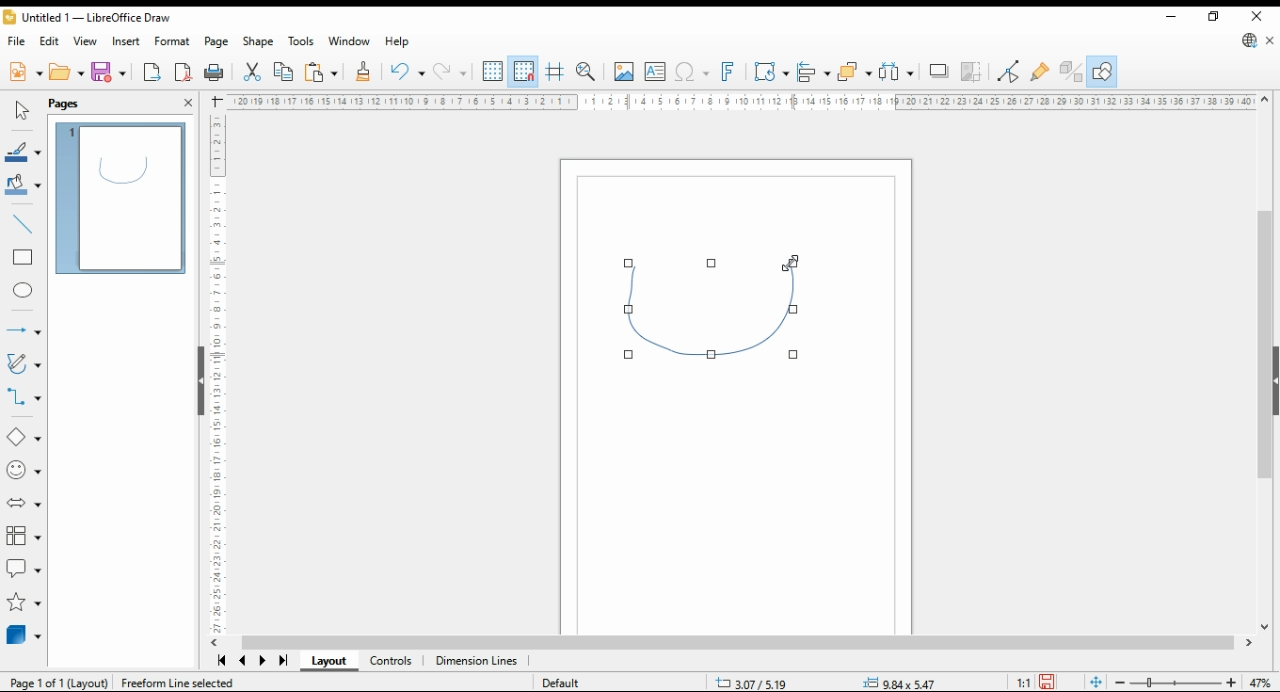 Image resolution: width=1280 pixels, height=692 pixels. I want to click on 0.00 x 0.00, so click(900, 680).